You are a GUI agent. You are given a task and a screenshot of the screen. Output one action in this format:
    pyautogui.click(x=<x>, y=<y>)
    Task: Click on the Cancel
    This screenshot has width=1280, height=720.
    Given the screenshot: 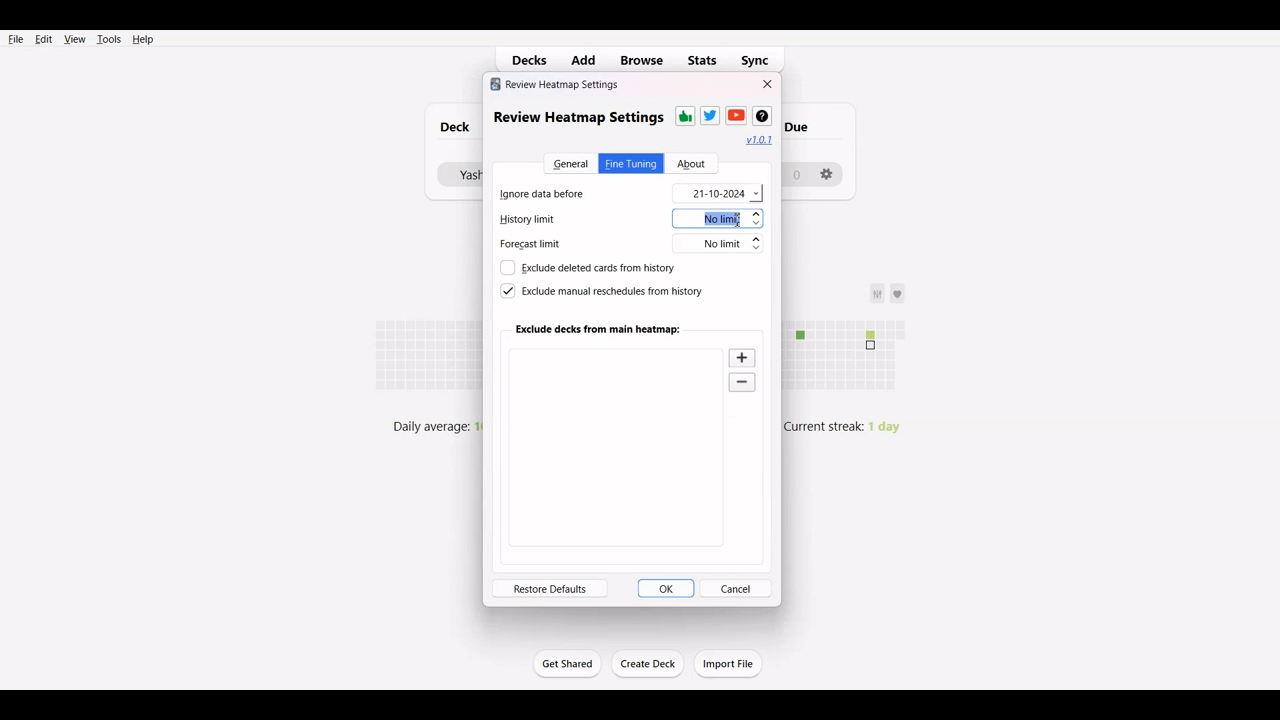 What is the action you would take?
    pyautogui.click(x=736, y=588)
    